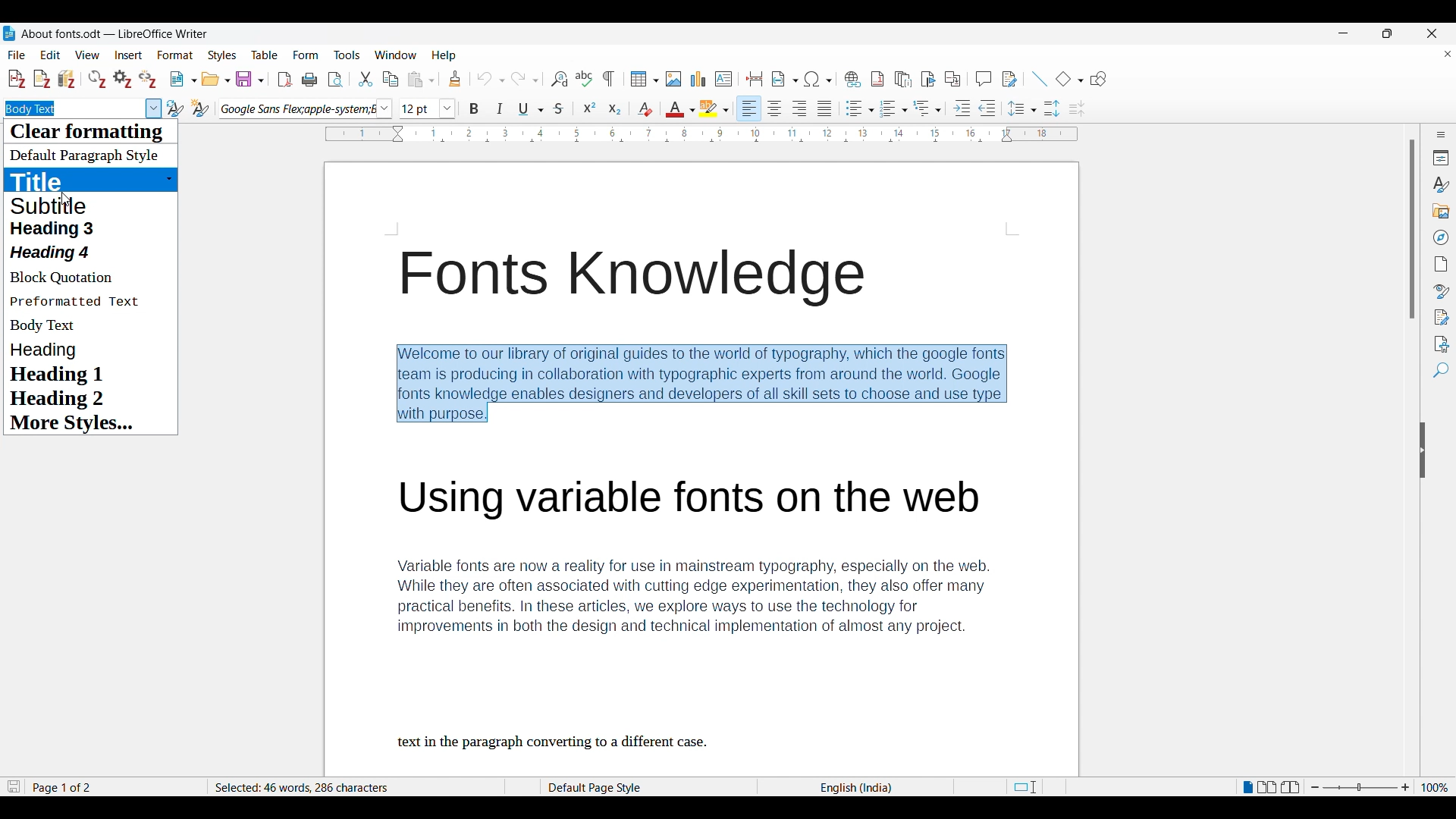 Image resolution: width=1456 pixels, height=819 pixels. I want to click on Decrease paragraph spacing, so click(1077, 109).